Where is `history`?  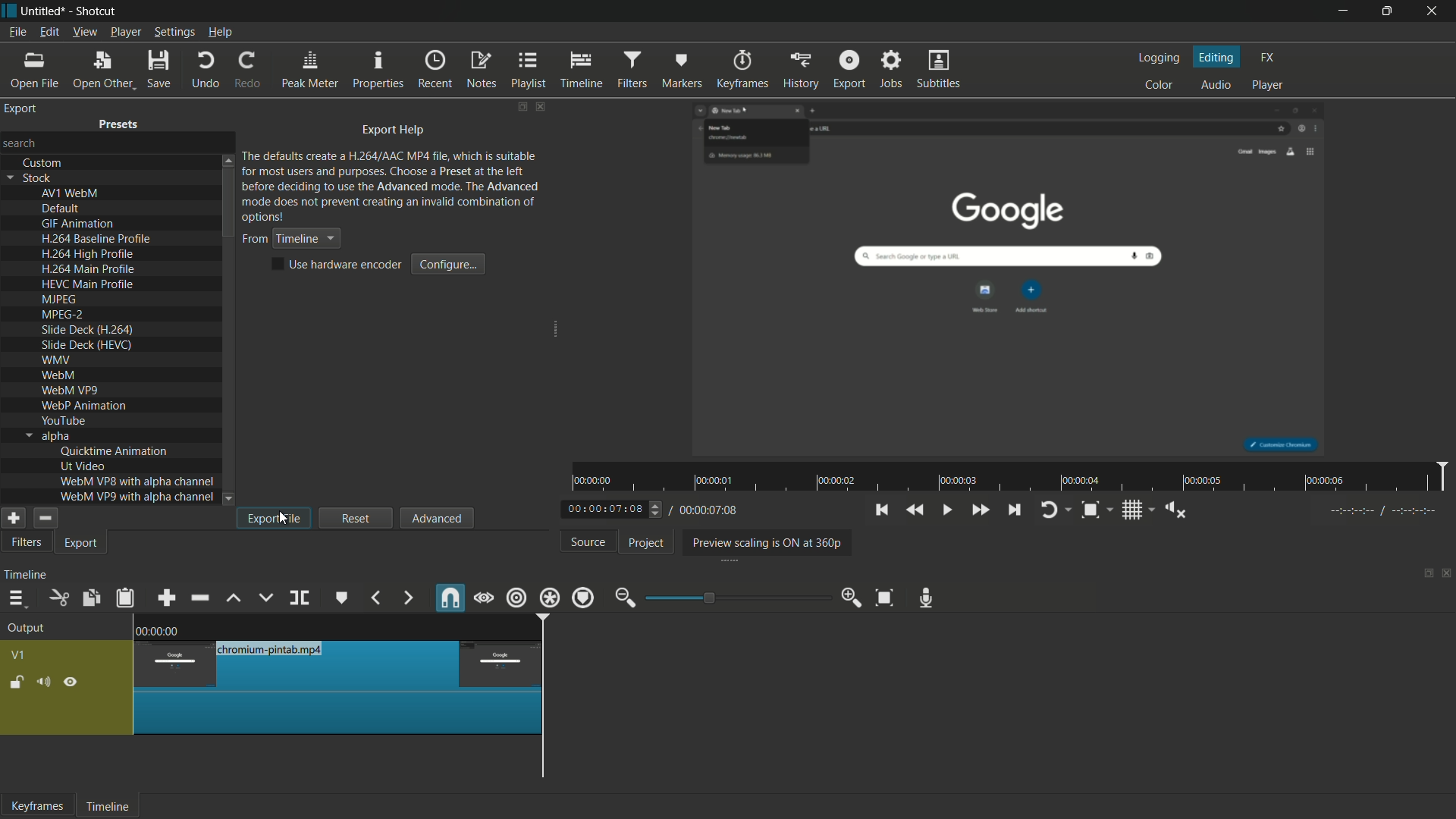 history is located at coordinates (800, 69).